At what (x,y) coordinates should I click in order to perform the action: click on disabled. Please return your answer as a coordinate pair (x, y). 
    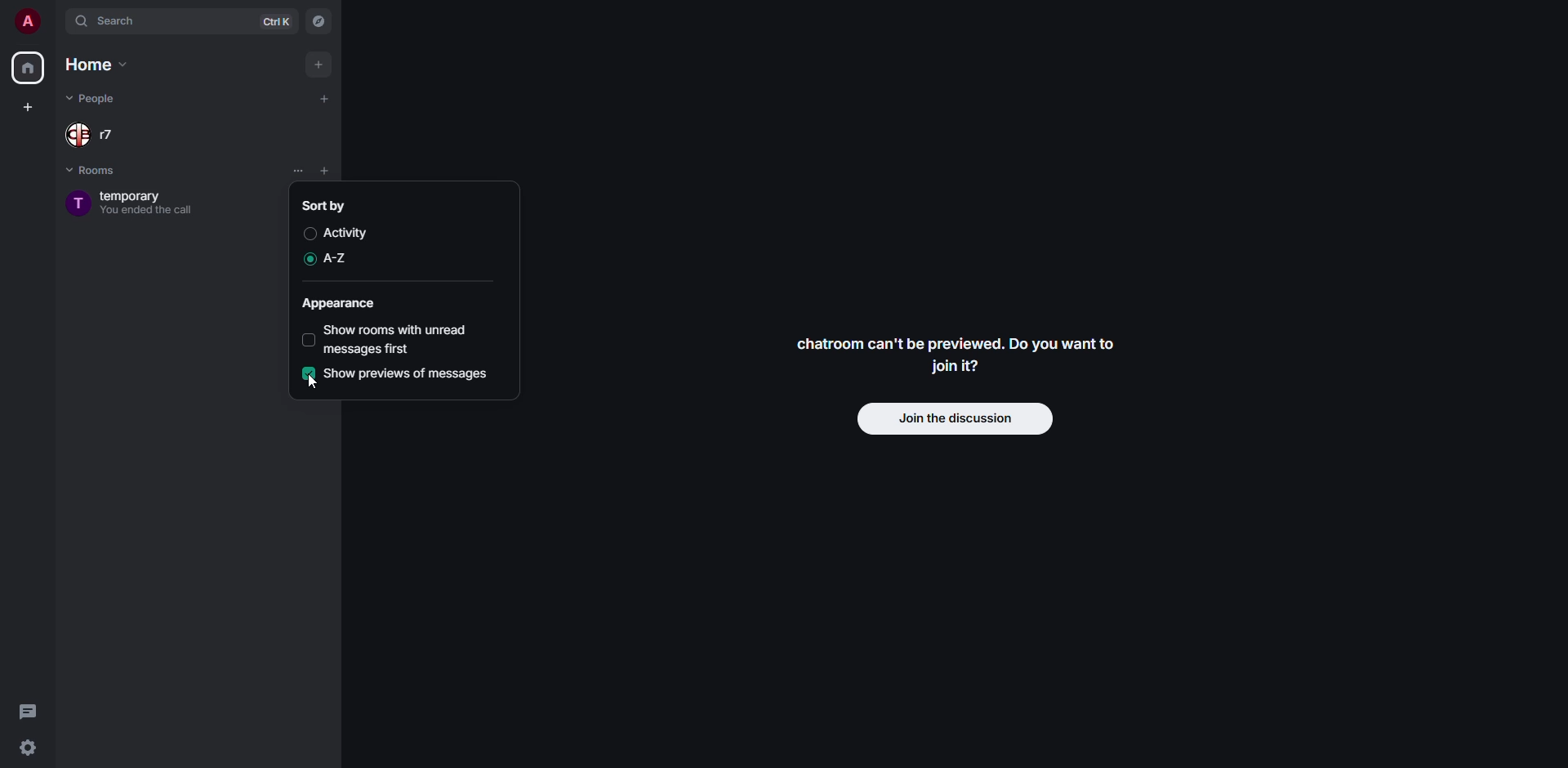
    Looking at the image, I should click on (309, 338).